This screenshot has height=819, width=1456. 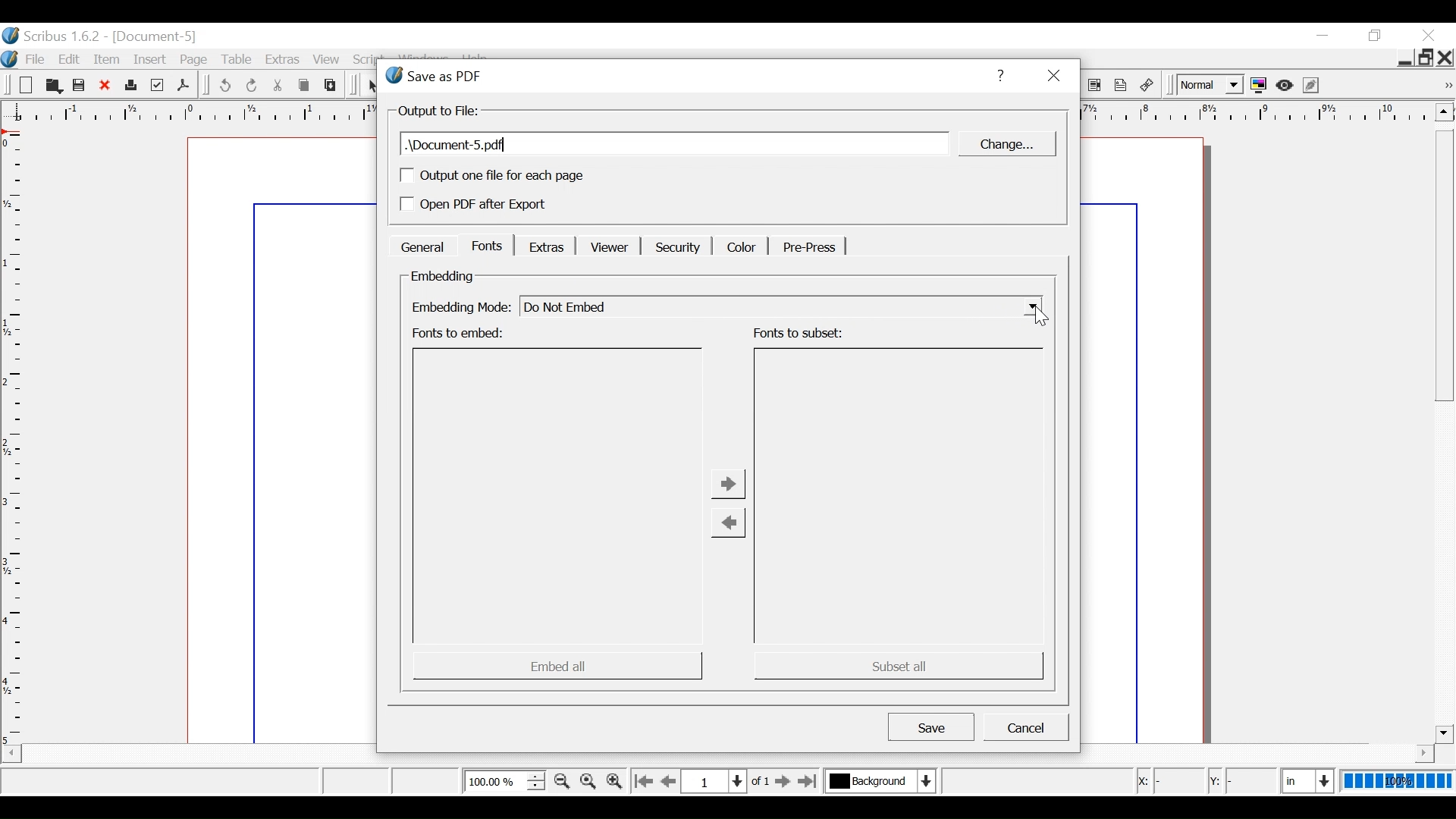 I want to click on link Annotations, so click(x=1147, y=86).